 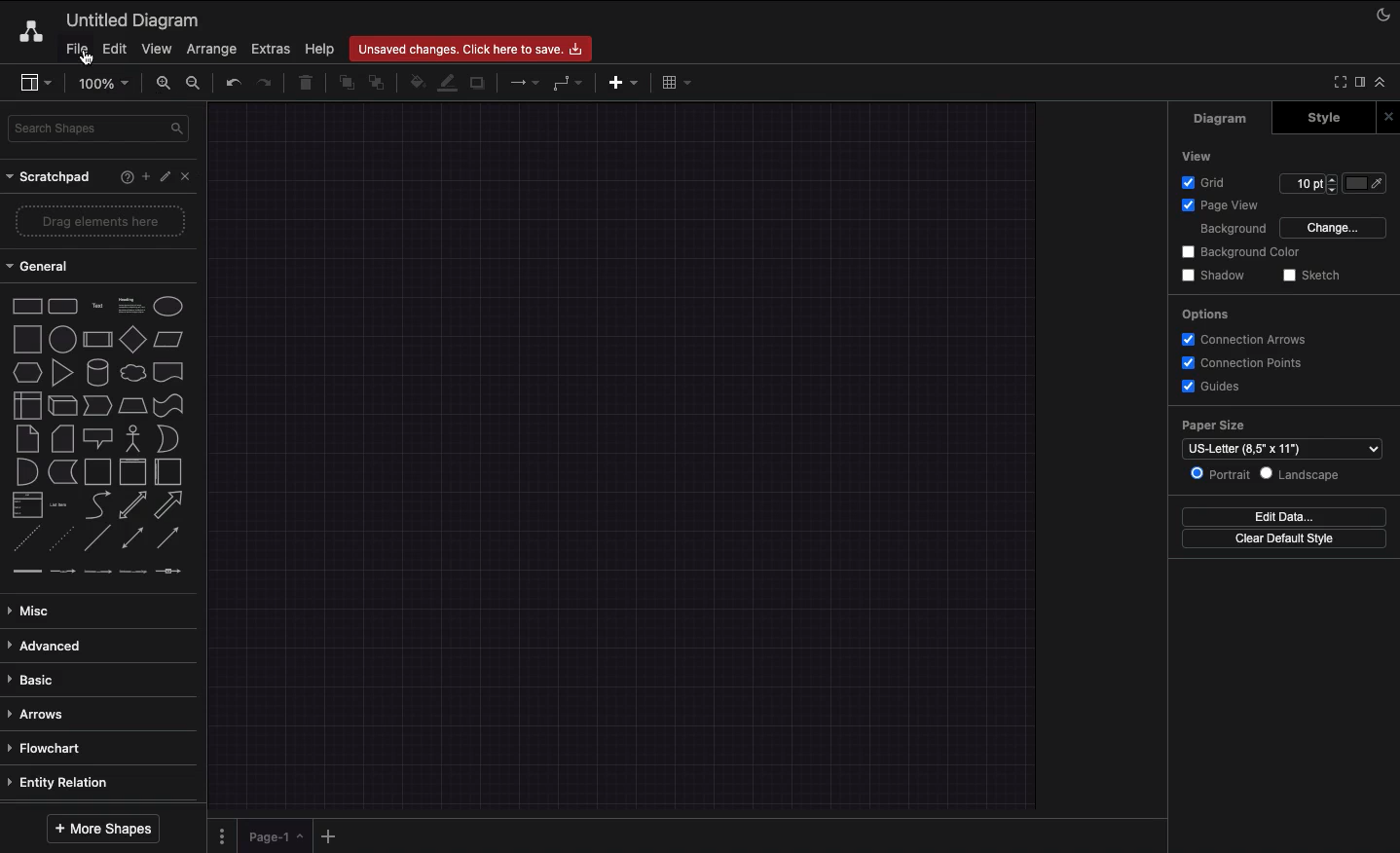 I want to click on General , so click(x=49, y=267).